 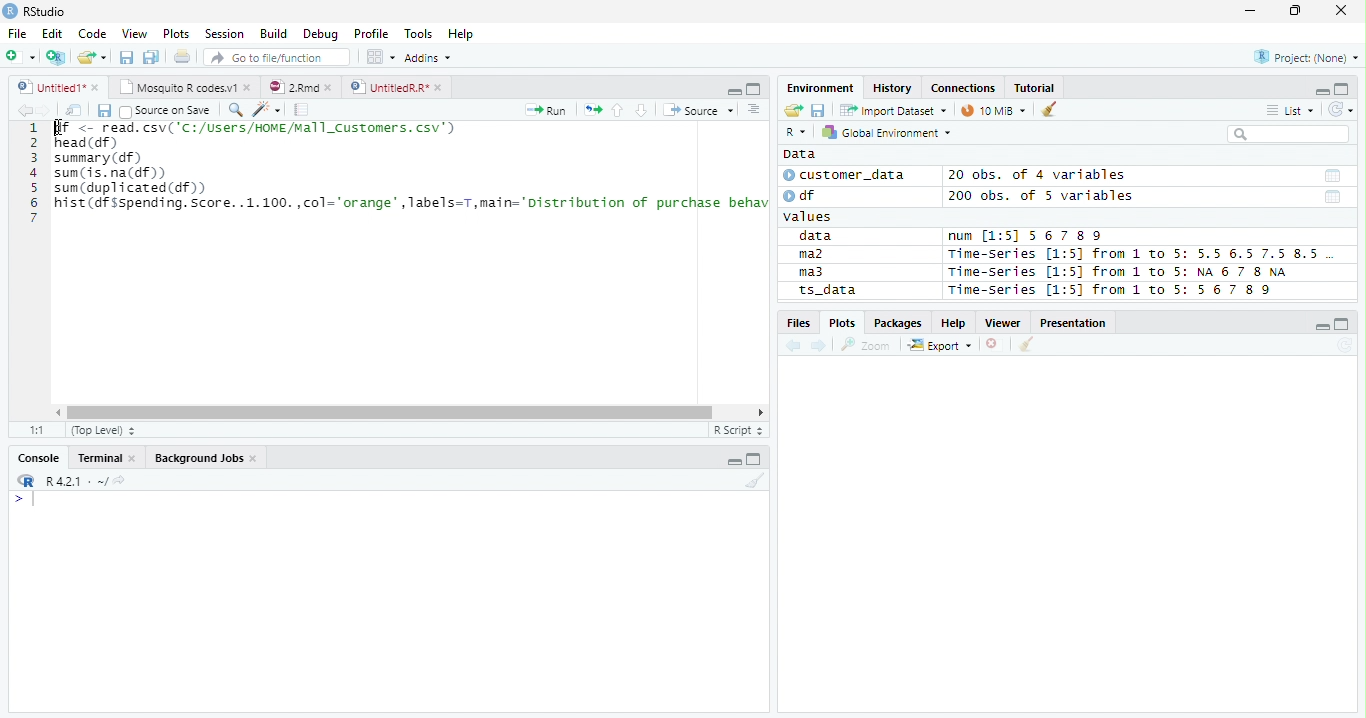 I want to click on Minimize, so click(x=735, y=459).